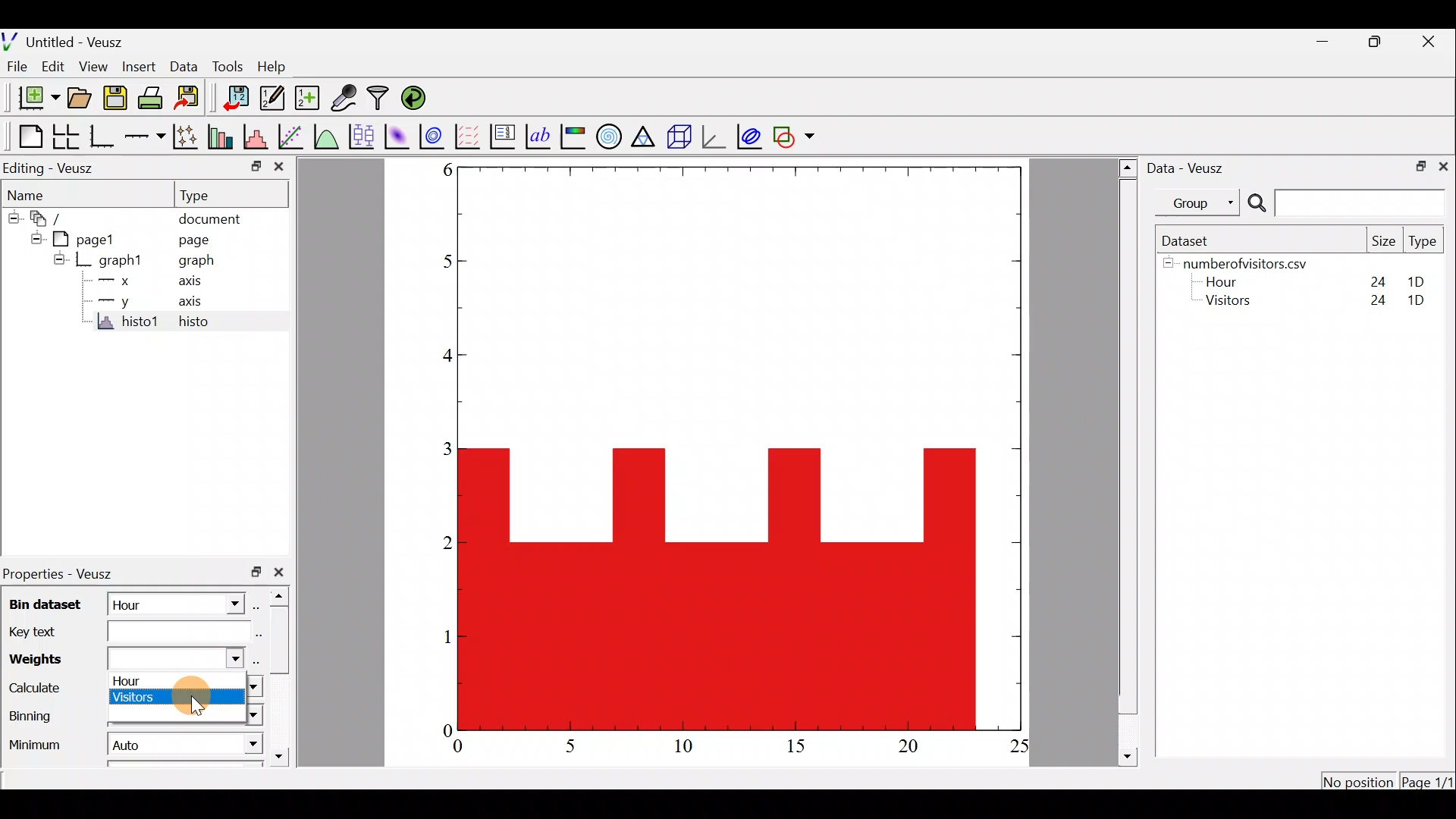 This screenshot has height=819, width=1456. I want to click on close, so click(1443, 168).